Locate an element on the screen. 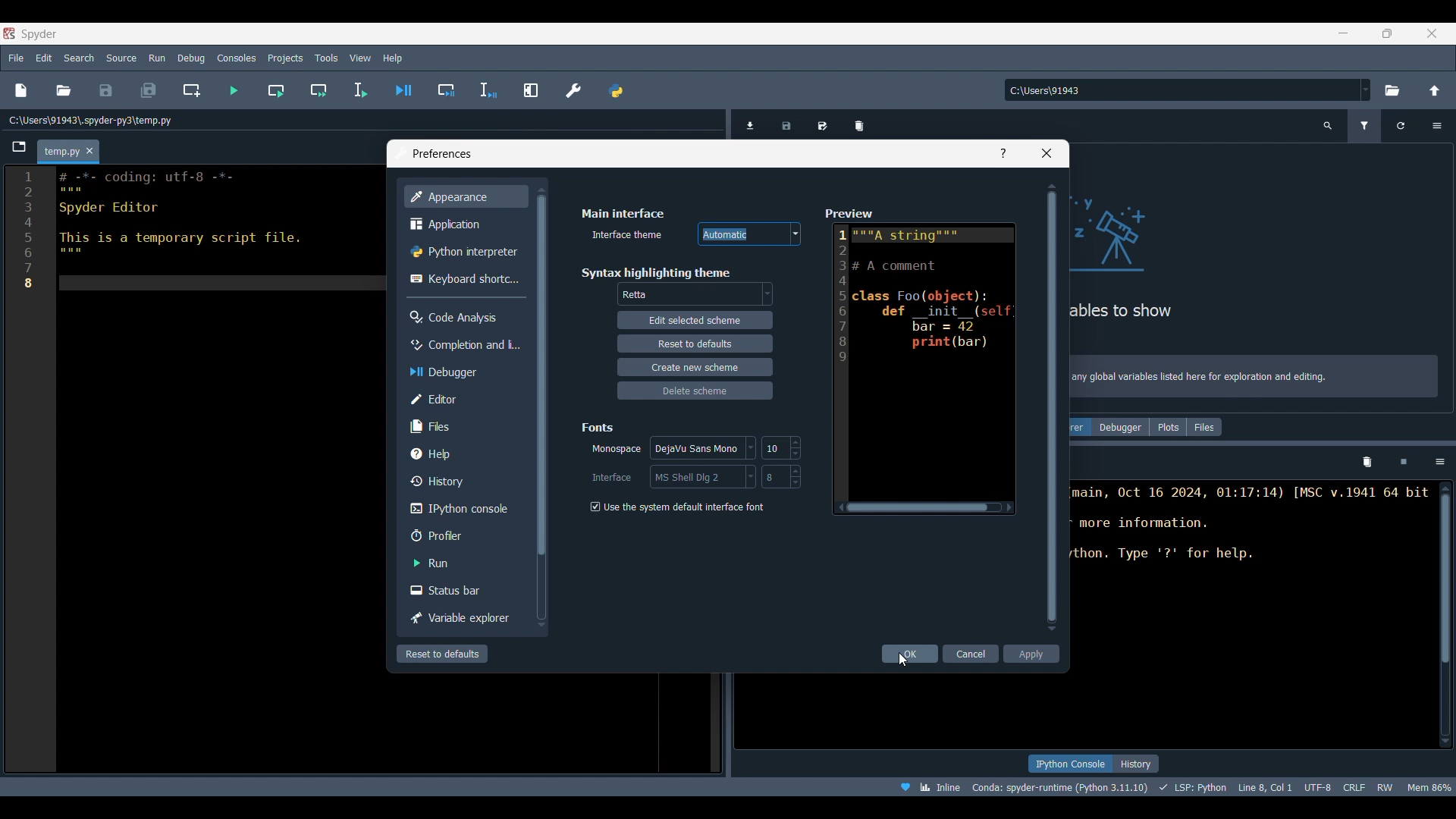 Image resolution: width=1456 pixels, height=819 pixels. Browse a working directory is located at coordinates (1391, 90).